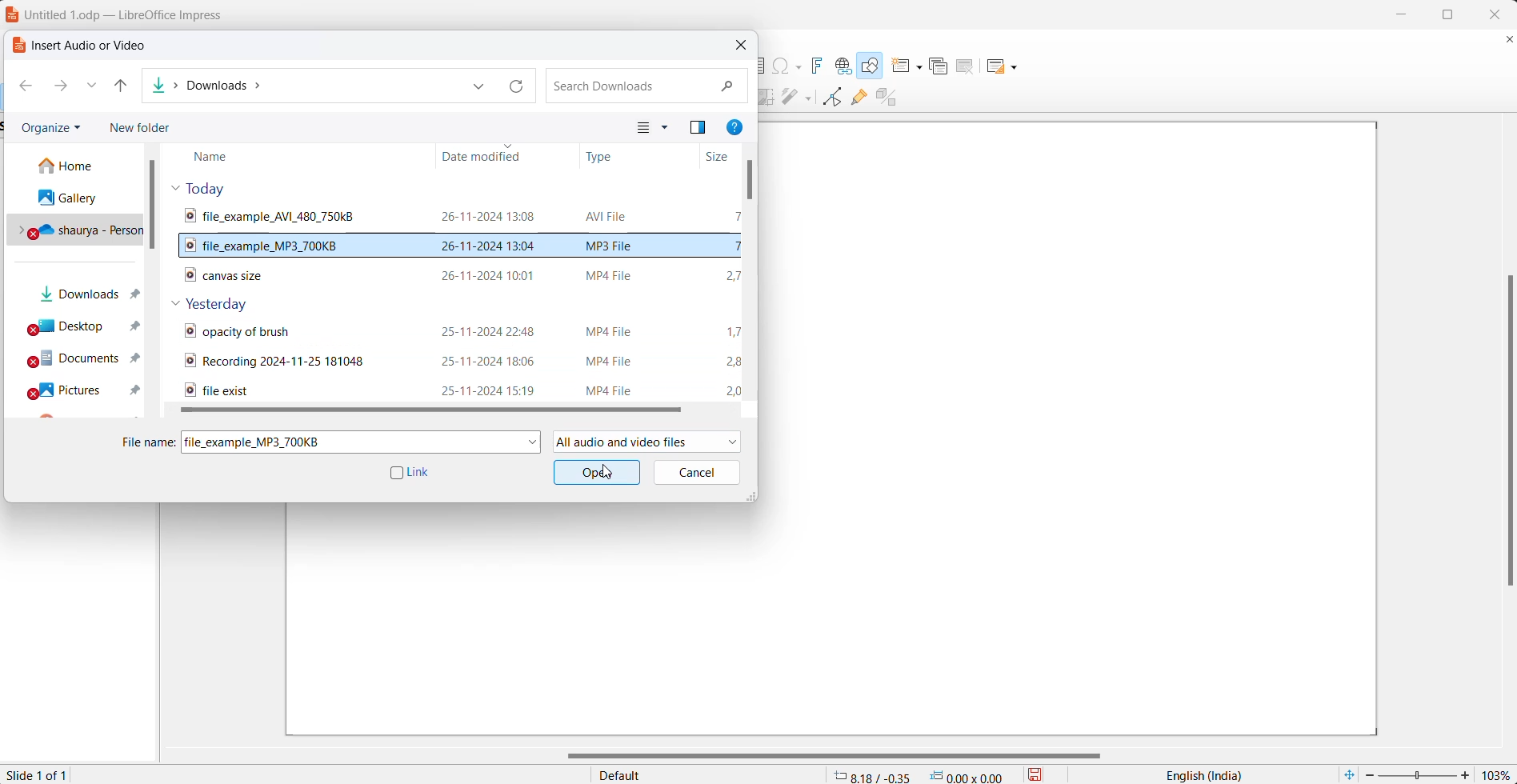 This screenshot has height=784, width=1517. I want to click on vertical scroll bar, so click(1505, 428).